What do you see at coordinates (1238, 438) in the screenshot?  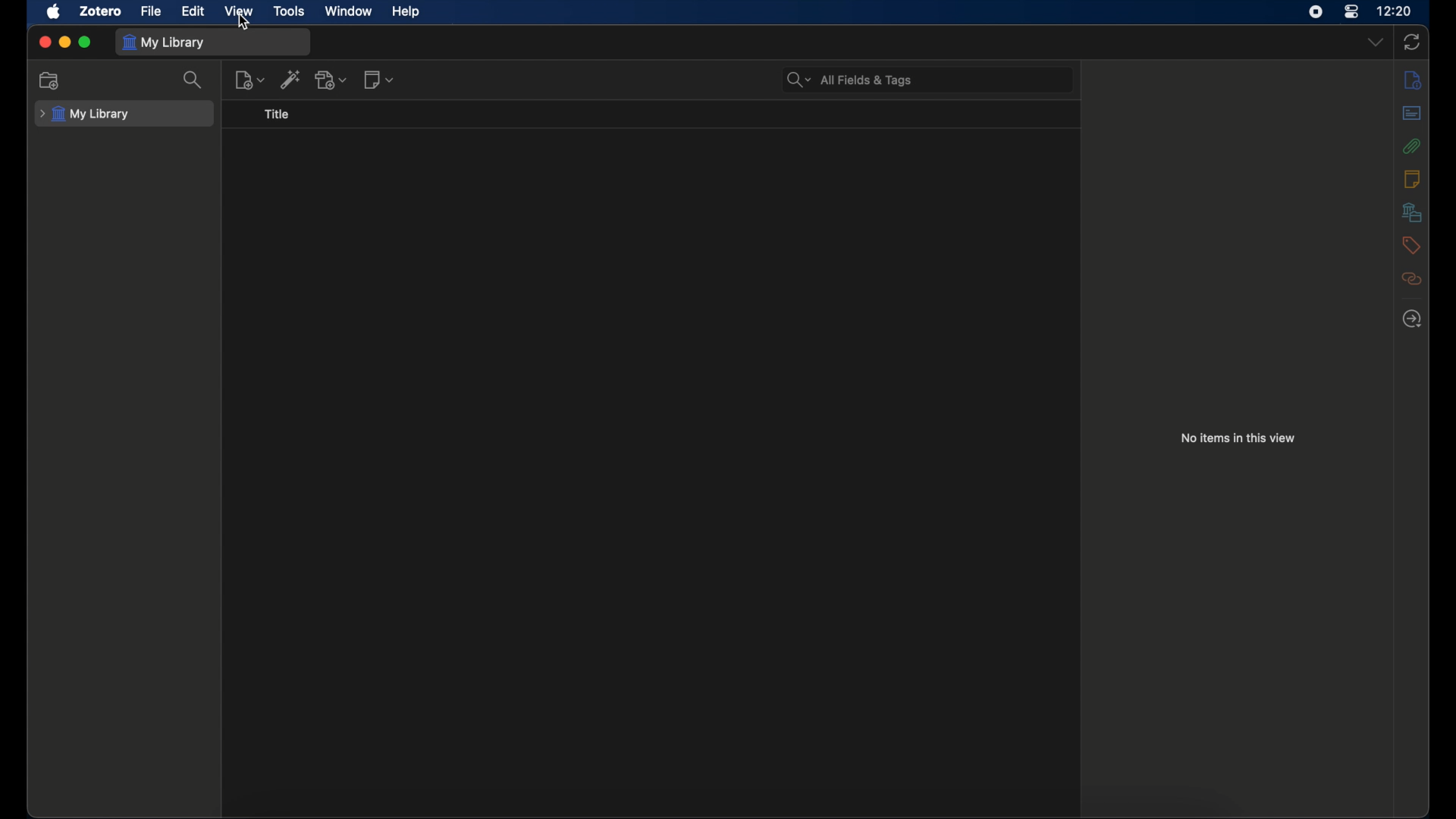 I see `no items in this view` at bounding box center [1238, 438].